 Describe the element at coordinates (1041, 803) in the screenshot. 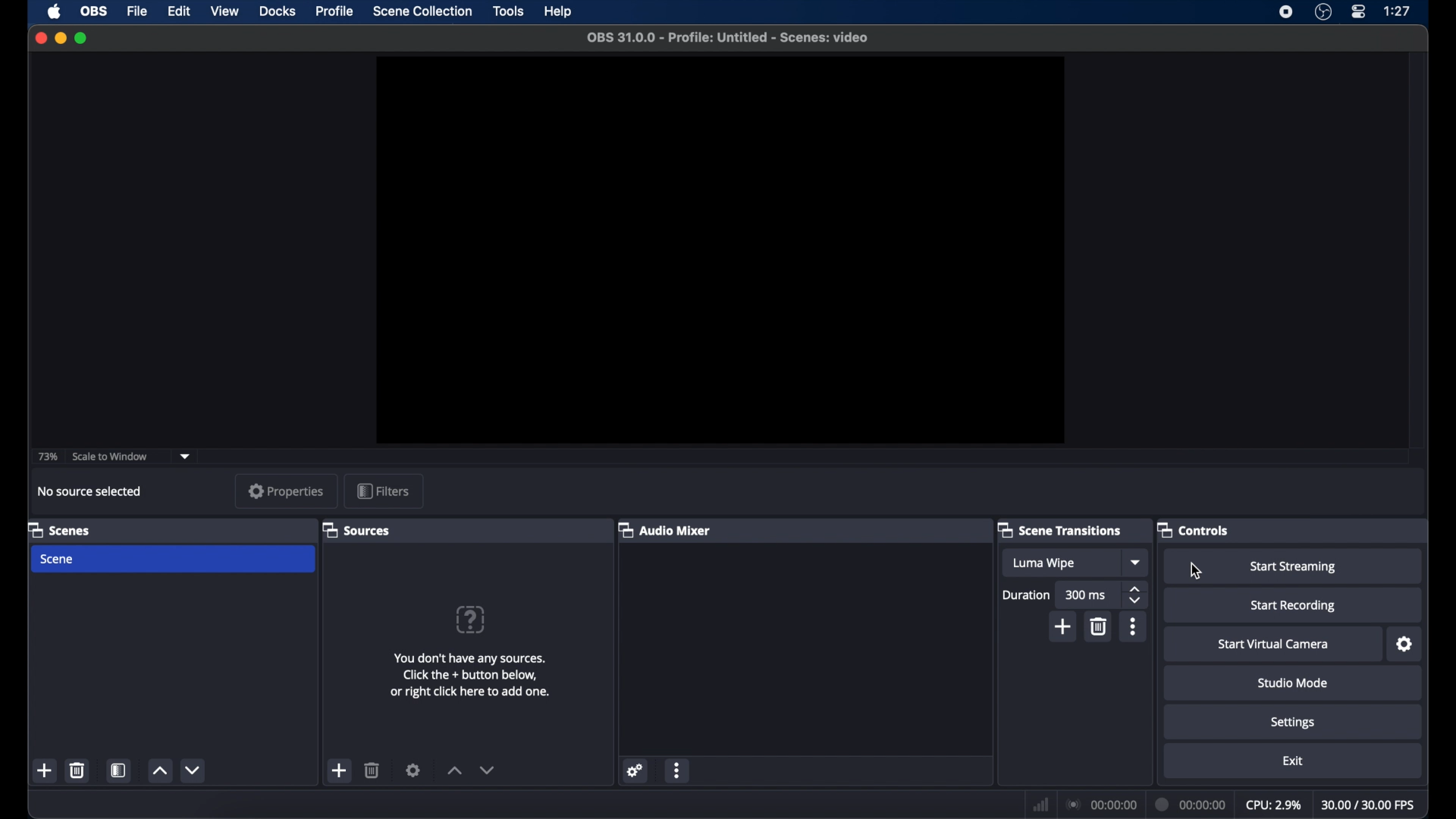

I see `network` at that location.